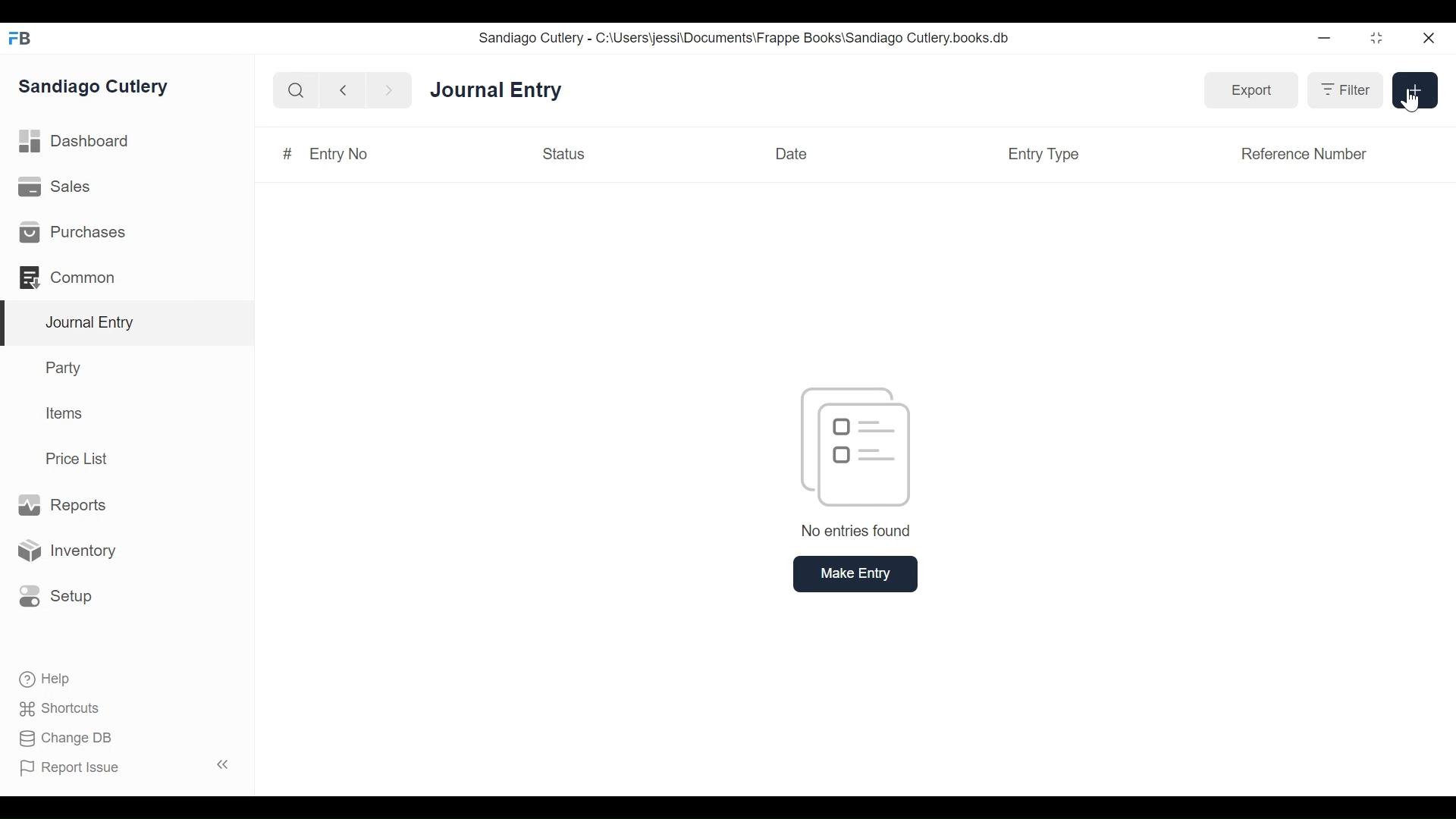  I want to click on Help, so click(43, 678).